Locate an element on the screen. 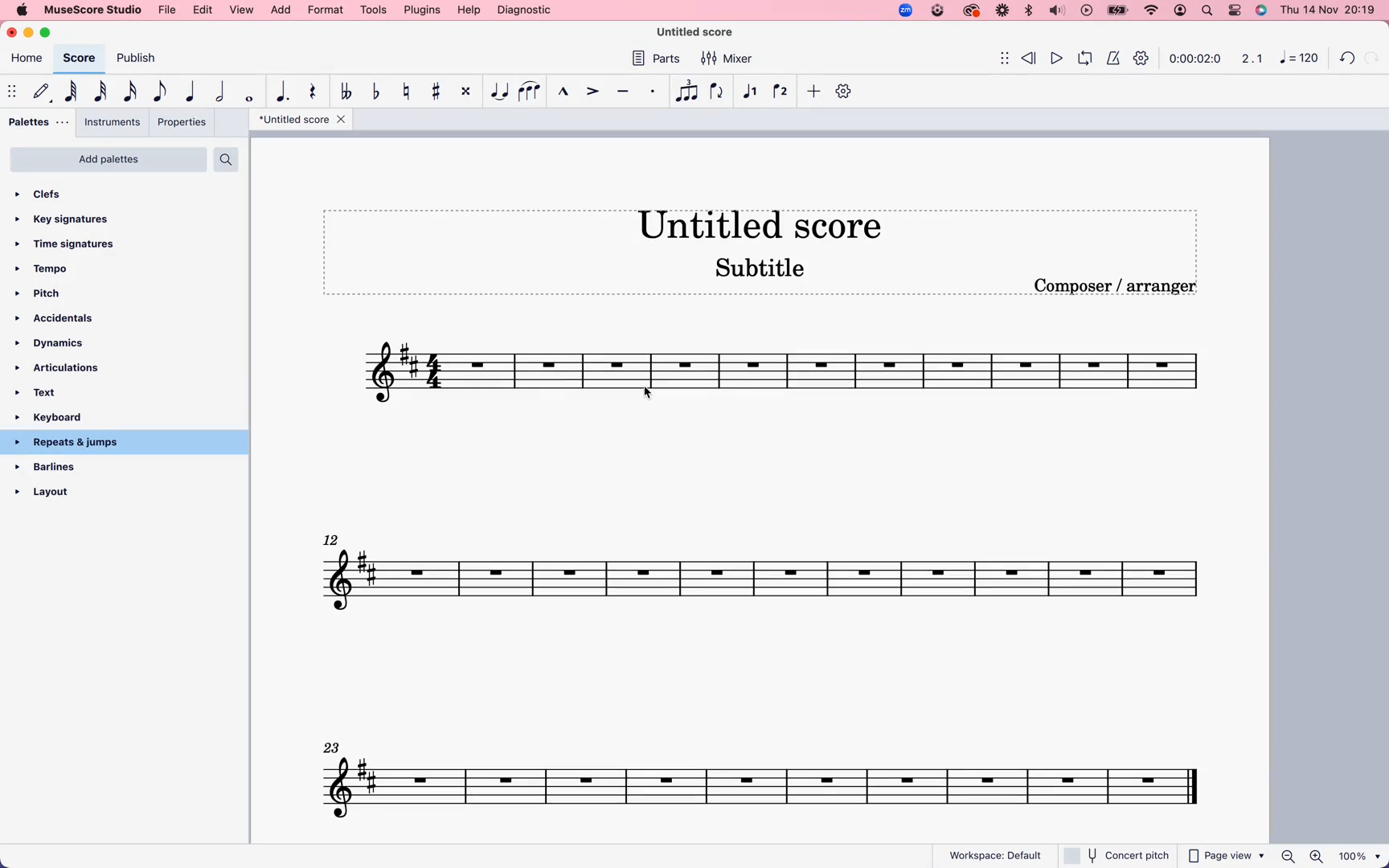  volume is located at coordinates (1057, 11).